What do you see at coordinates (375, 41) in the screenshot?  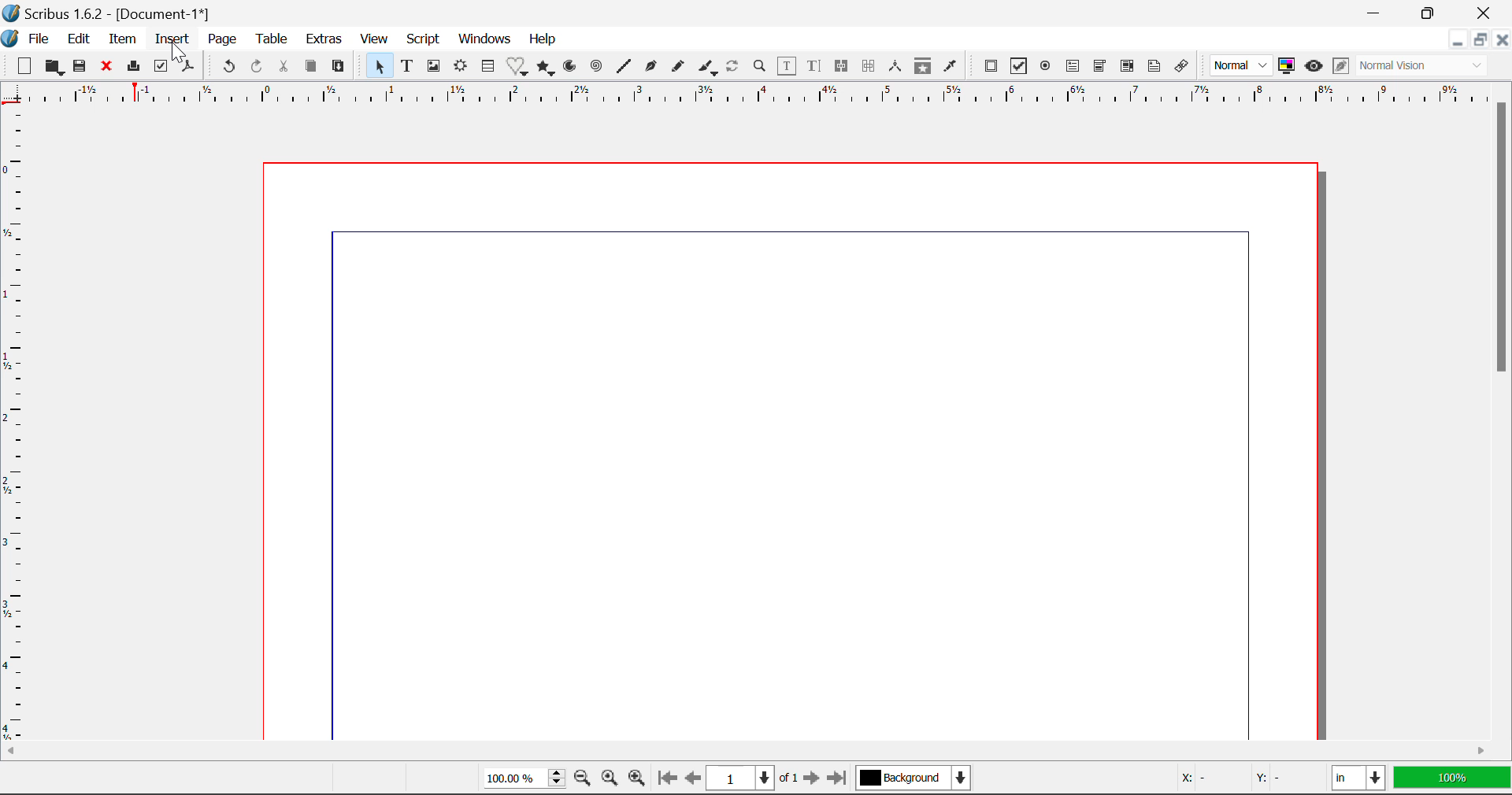 I see `View` at bounding box center [375, 41].